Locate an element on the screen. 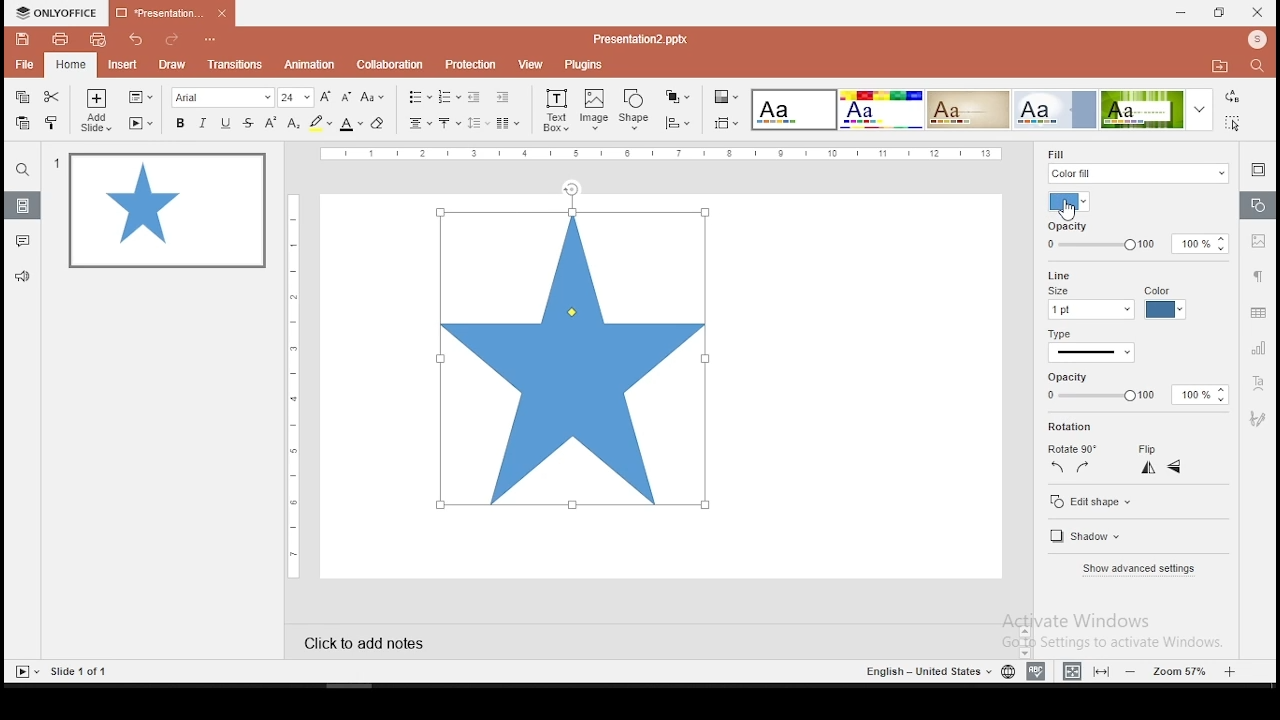 This screenshot has height=720, width=1280. file is located at coordinates (26, 64).